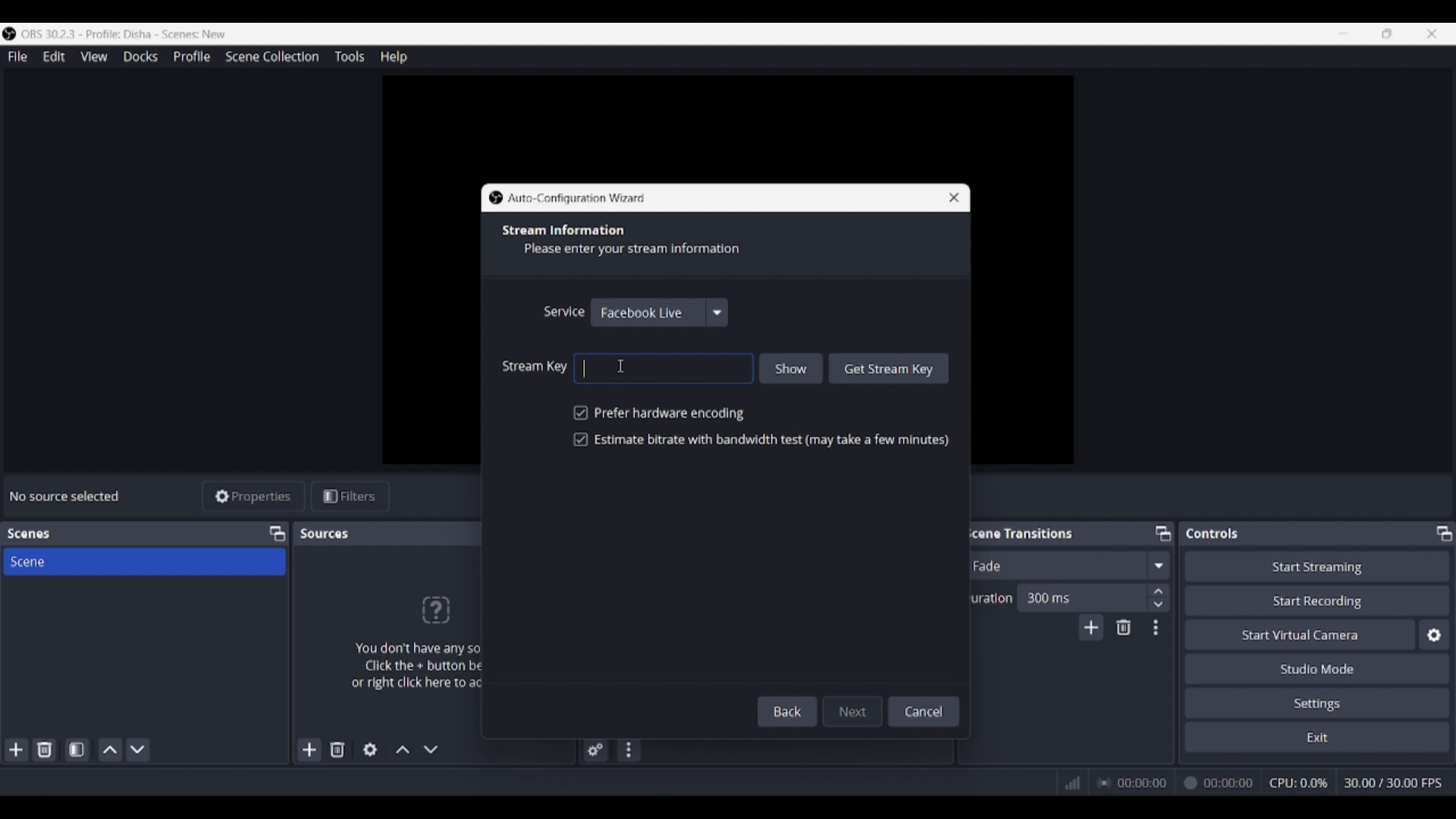 The width and height of the screenshot is (1456, 819). Describe the element at coordinates (17, 56) in the screenshot. I see `File menu` at that location.